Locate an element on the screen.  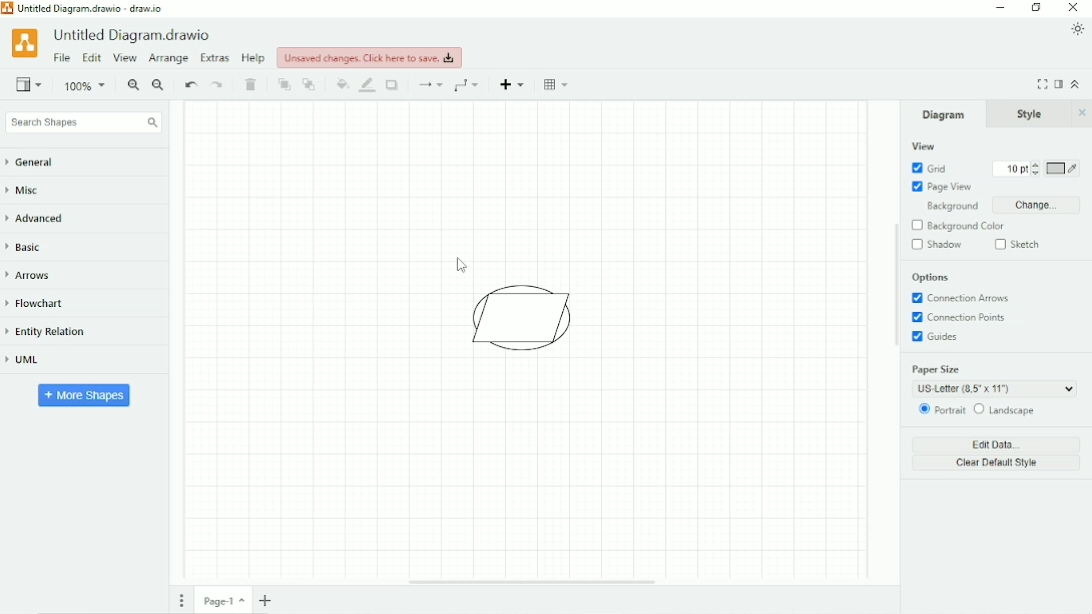
Logo is located at coordinates (24, 42).